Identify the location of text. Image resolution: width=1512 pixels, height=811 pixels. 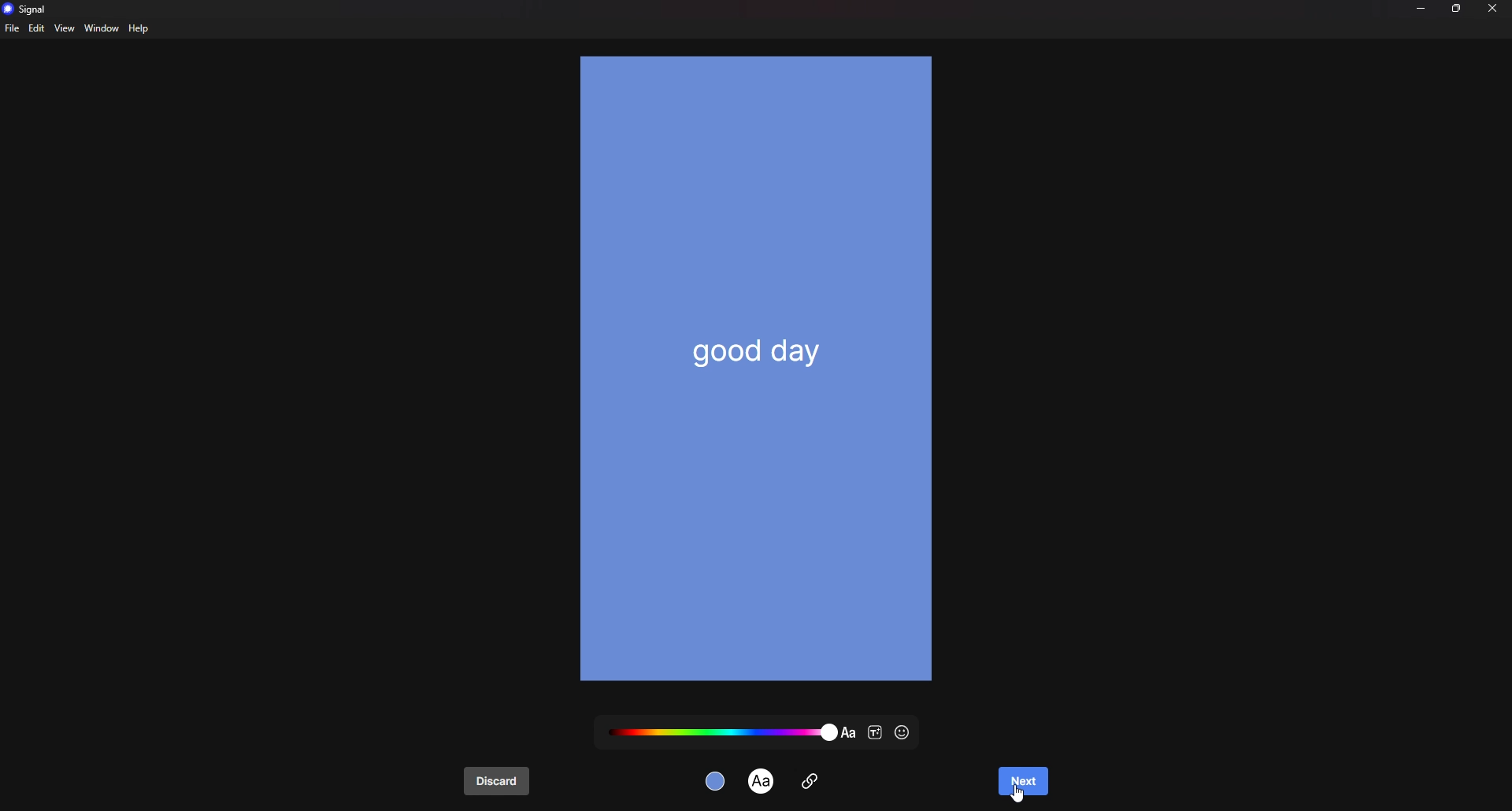
(762, 350).